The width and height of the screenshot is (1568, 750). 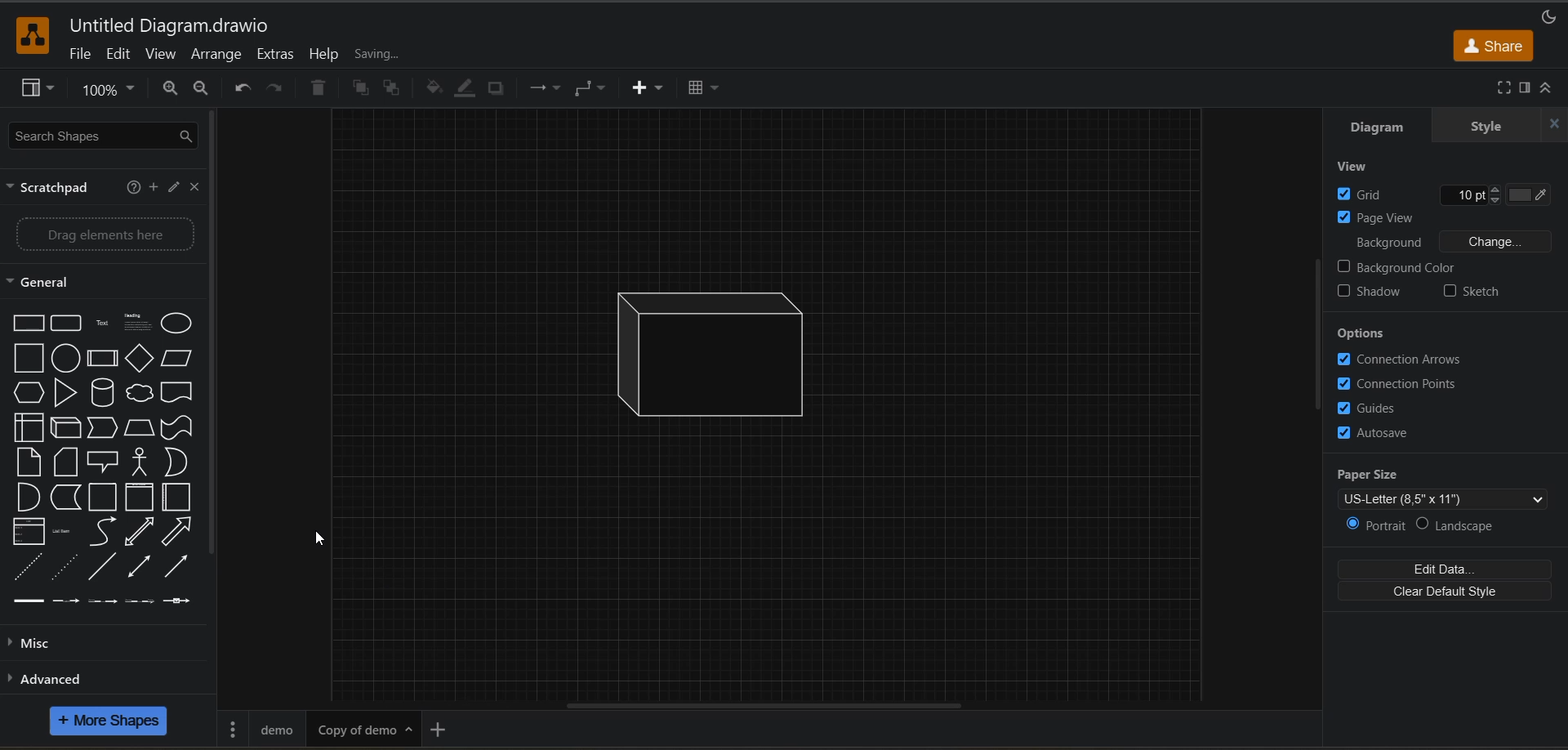 What do you see at coordinates (282, 728) in the screenshot?
I see `demo` at bounding box center [282, 728].